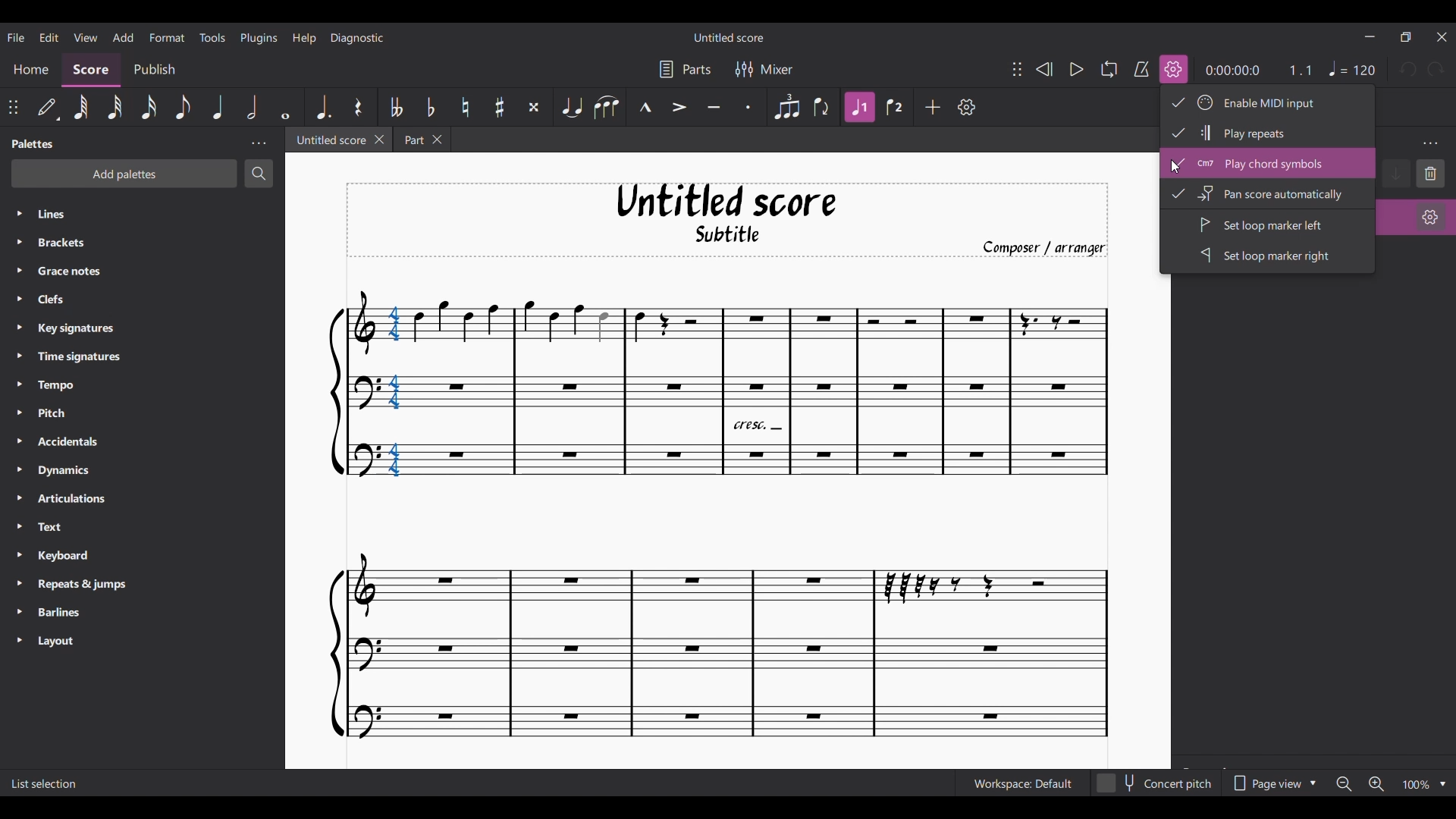 The height and width of the screenshot is (819, 1456). What do you see at coordinates (894, 106) in the screenshot?
I see `Voice 2` at bounding box center [894, 106].